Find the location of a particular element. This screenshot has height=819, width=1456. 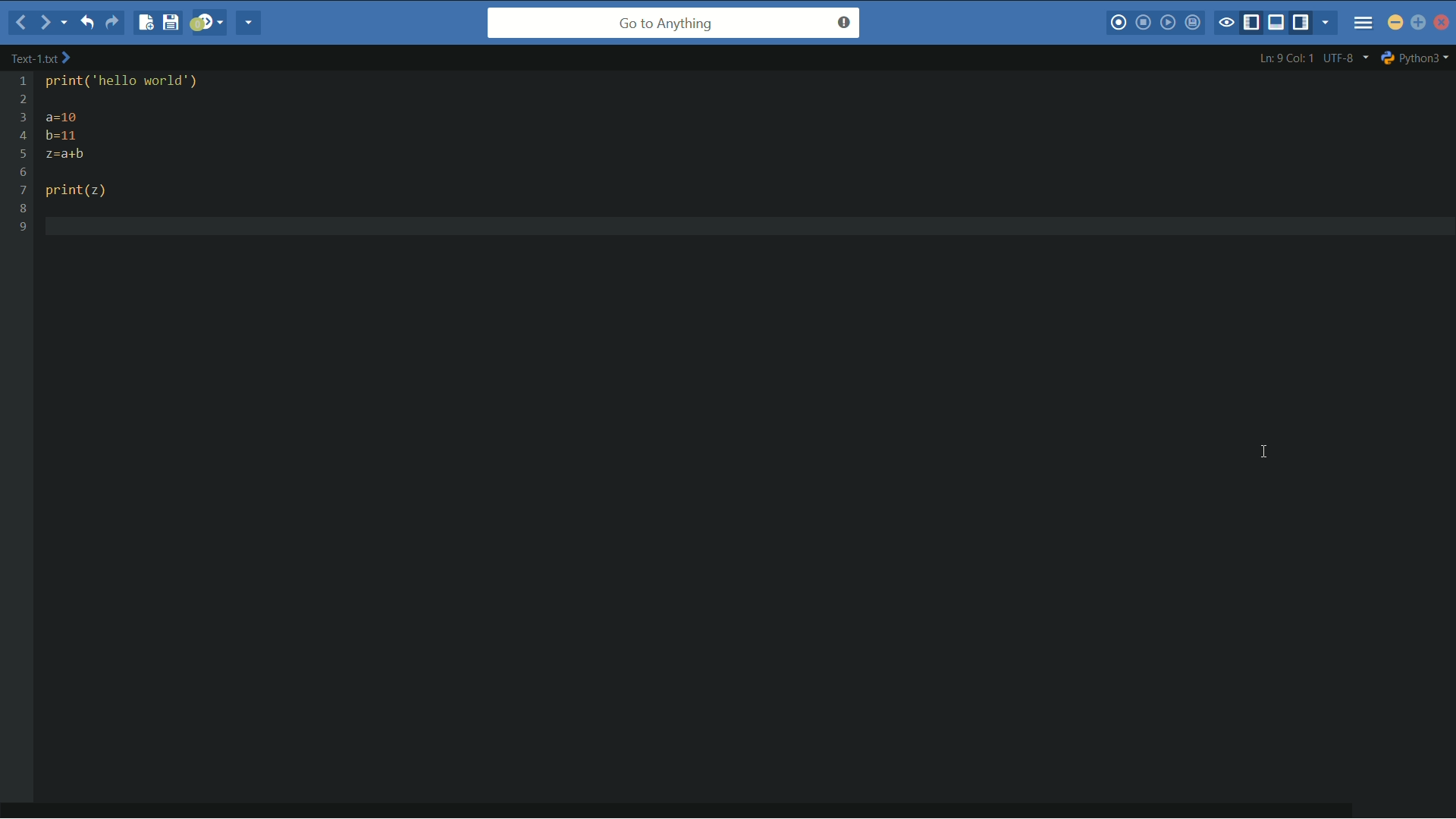

show/hide left pane is located at coordinates (1254, 22).